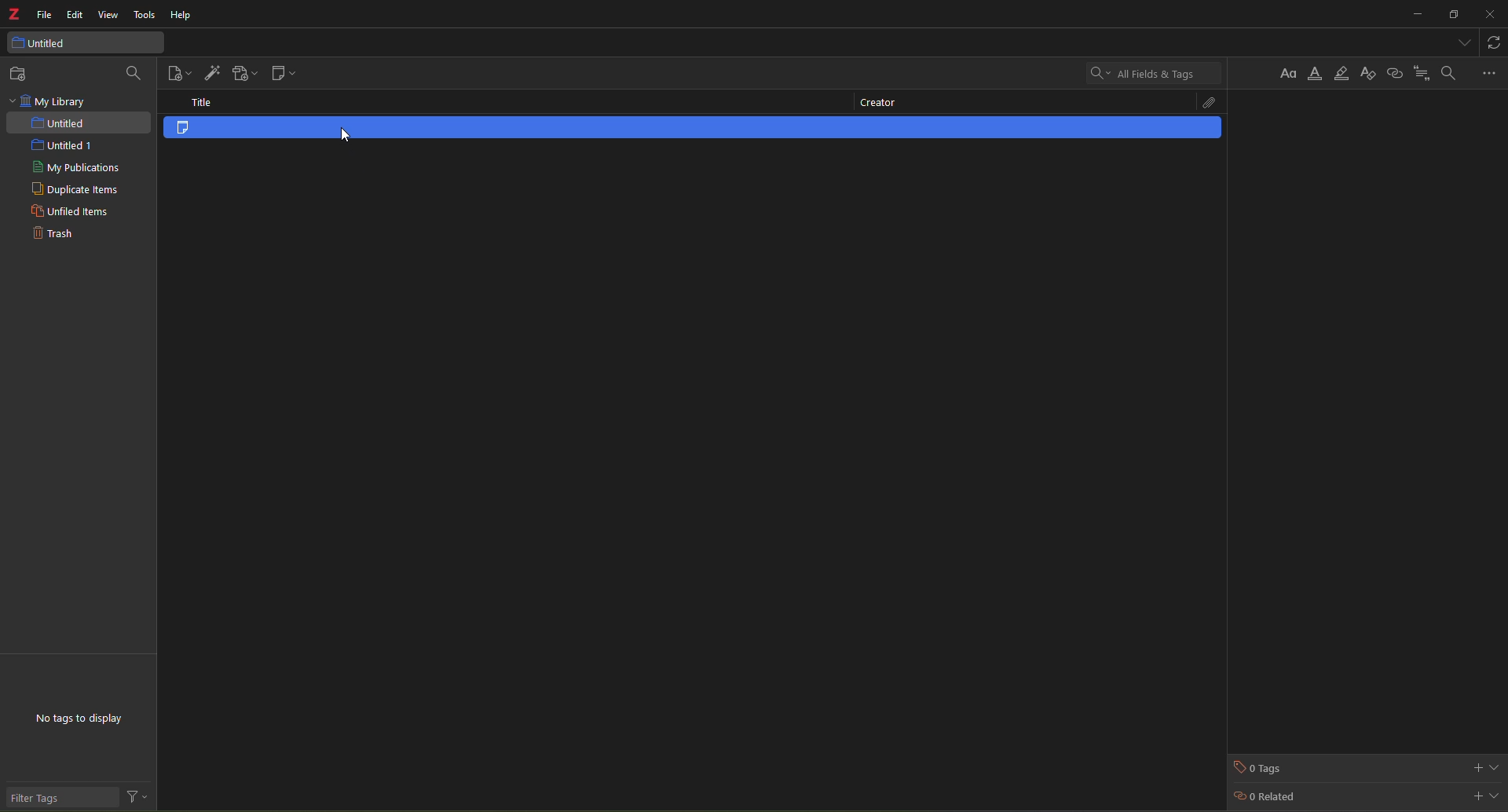 The image size is (1508, 812). What do you see at coordinates (52, 101) in the screenshot?
I see `my library` at bounding box center [52, 101].